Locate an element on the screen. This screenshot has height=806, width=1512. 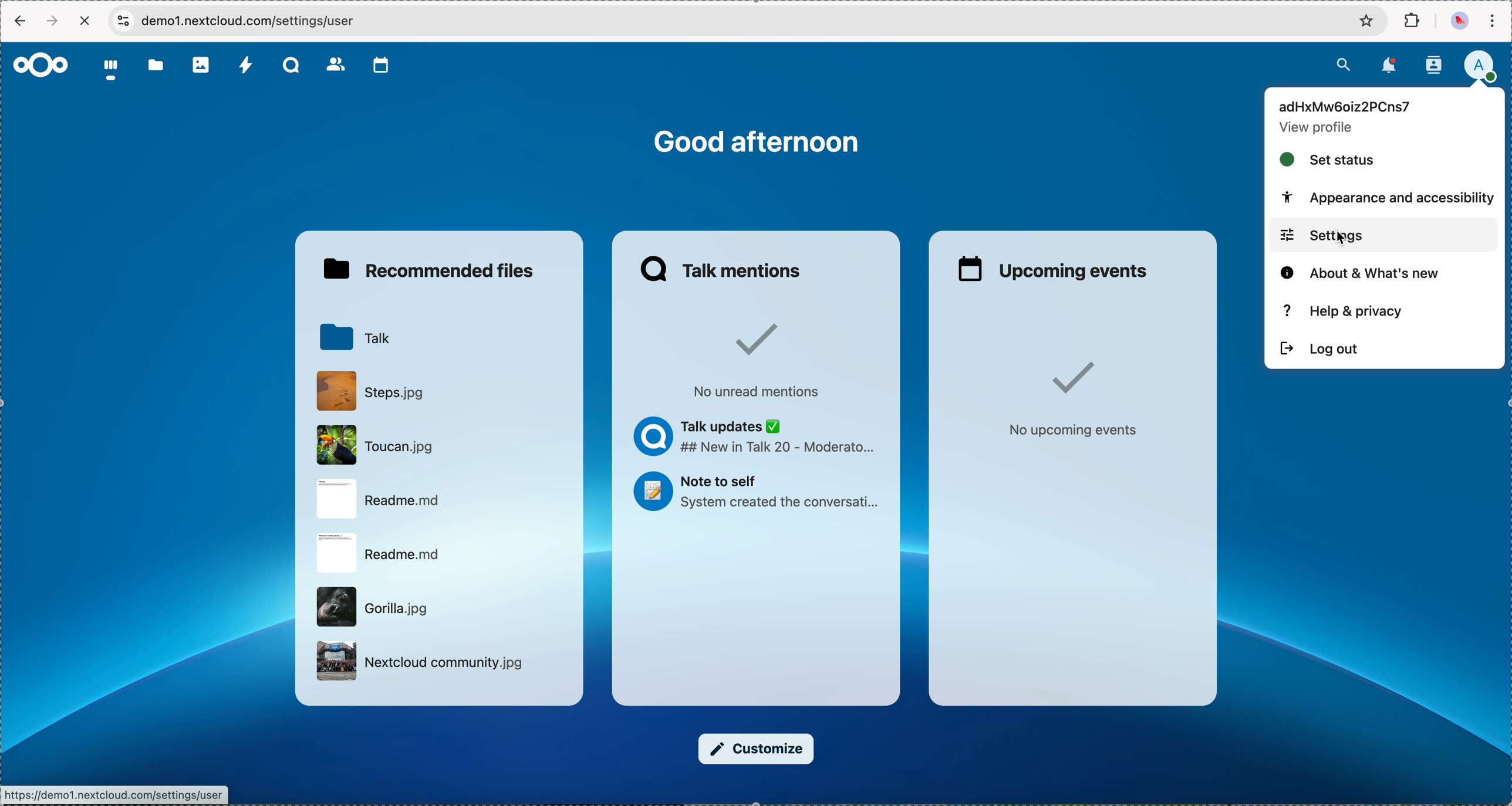
activity is located at coordinates (247, 66).